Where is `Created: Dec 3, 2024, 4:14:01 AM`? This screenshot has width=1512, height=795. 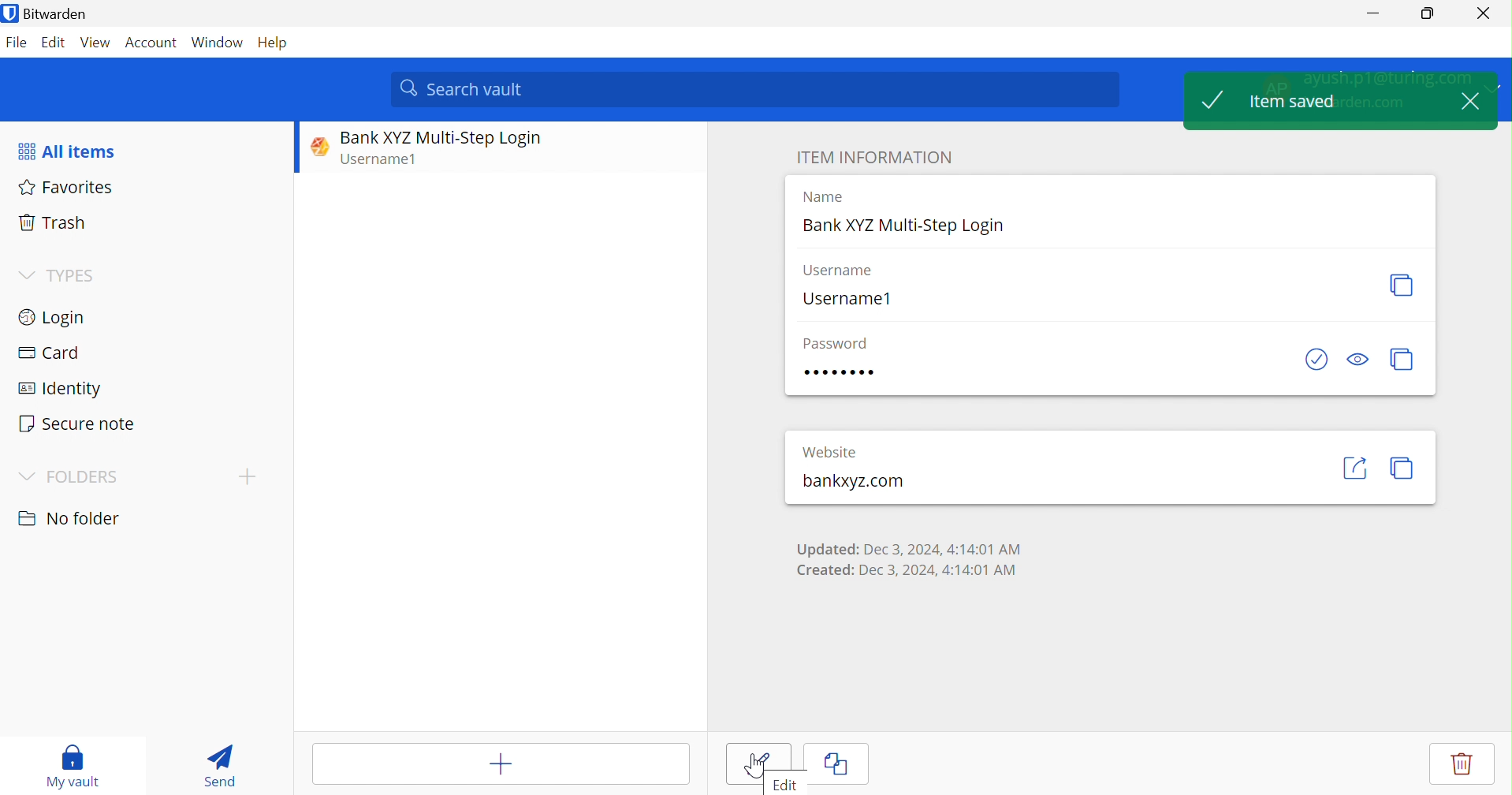
Created: Dec 3, 2024, 4:14:01 AM is located at coordinates (911, 571).